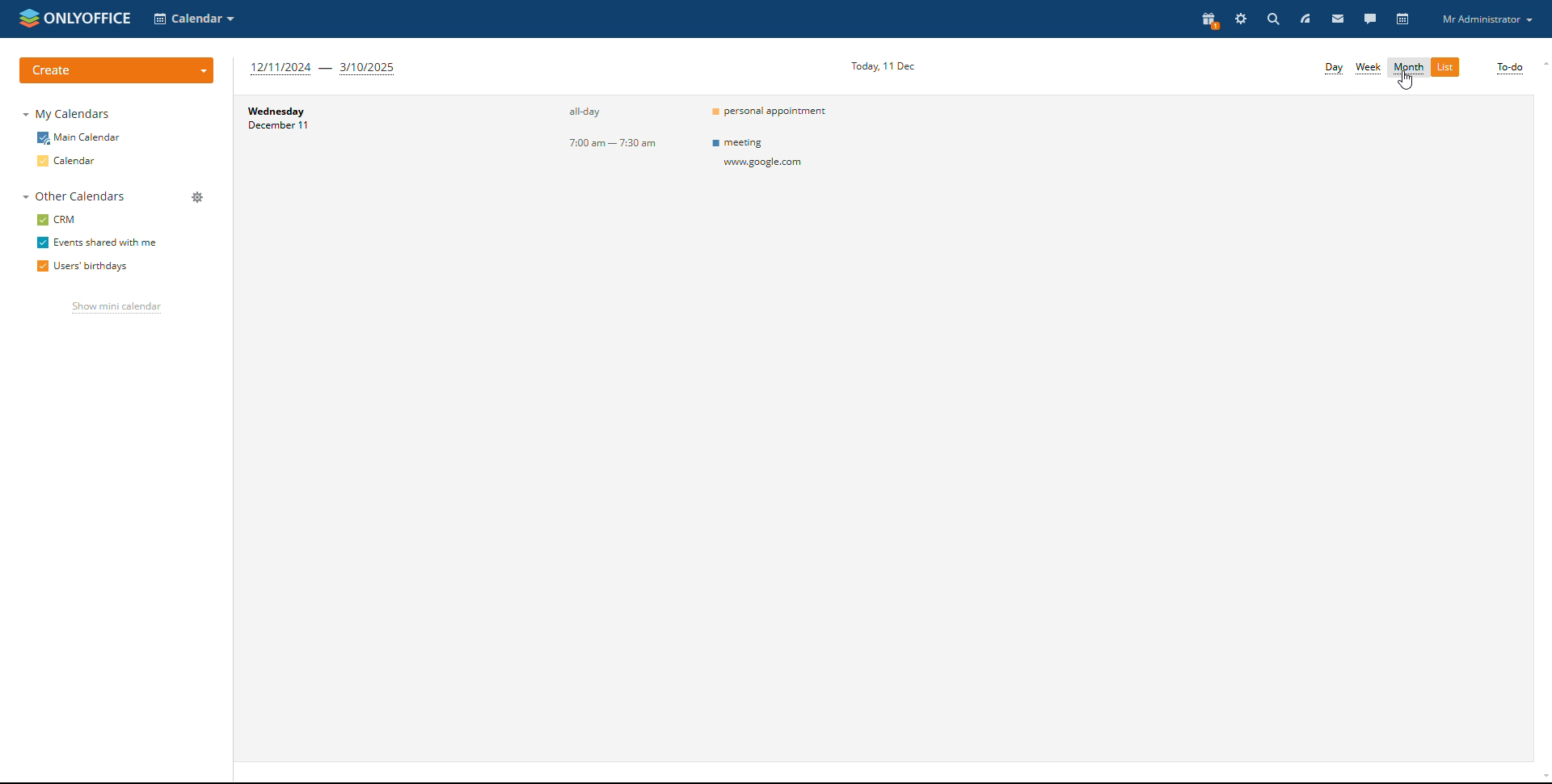 This screenshot has height=784, width=1552. Describe the element at coordinates (75, 19) in the screenshot. I see `logo` at that location.